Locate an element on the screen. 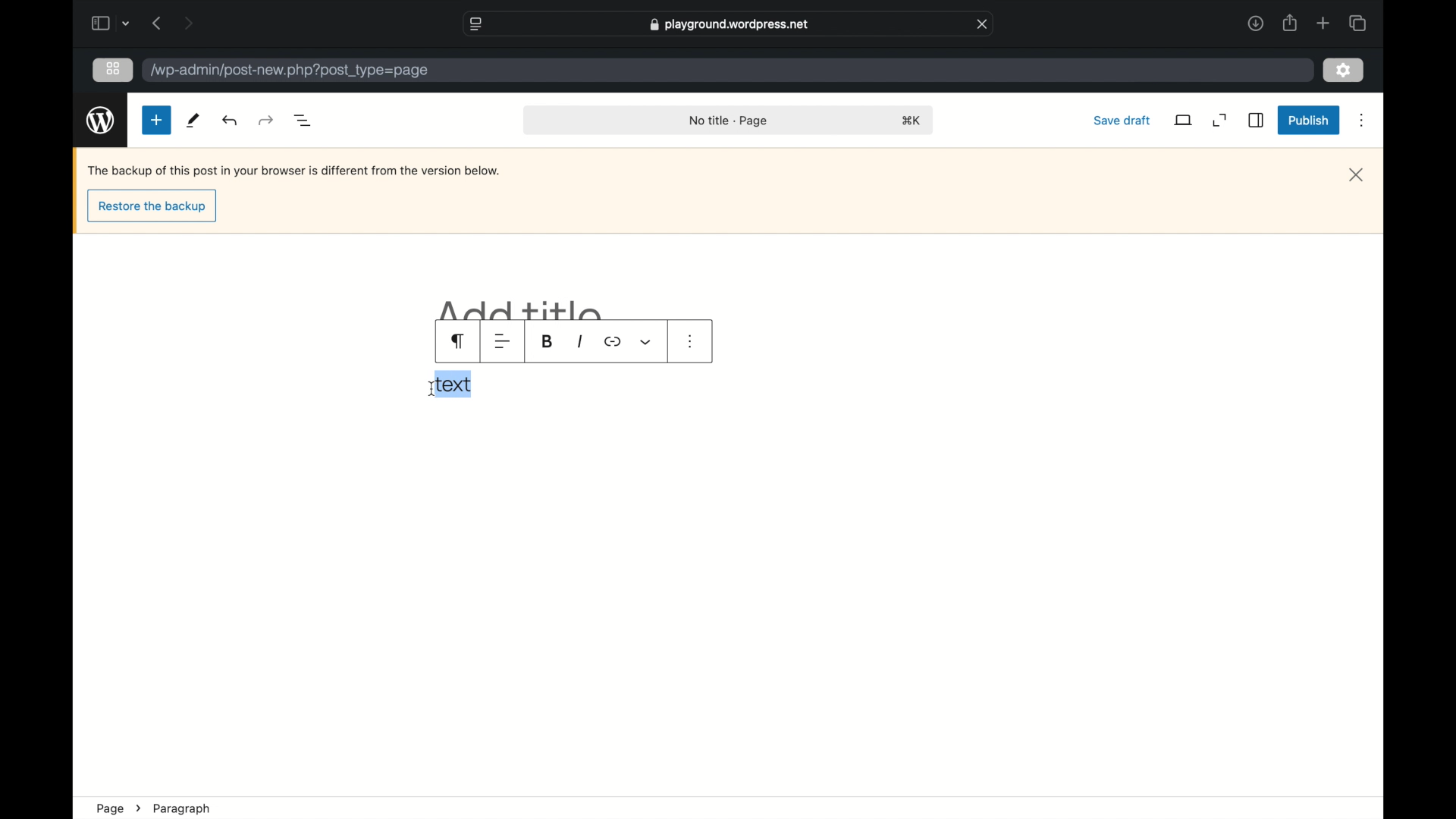  previous page is located at coordinates (156, 23).